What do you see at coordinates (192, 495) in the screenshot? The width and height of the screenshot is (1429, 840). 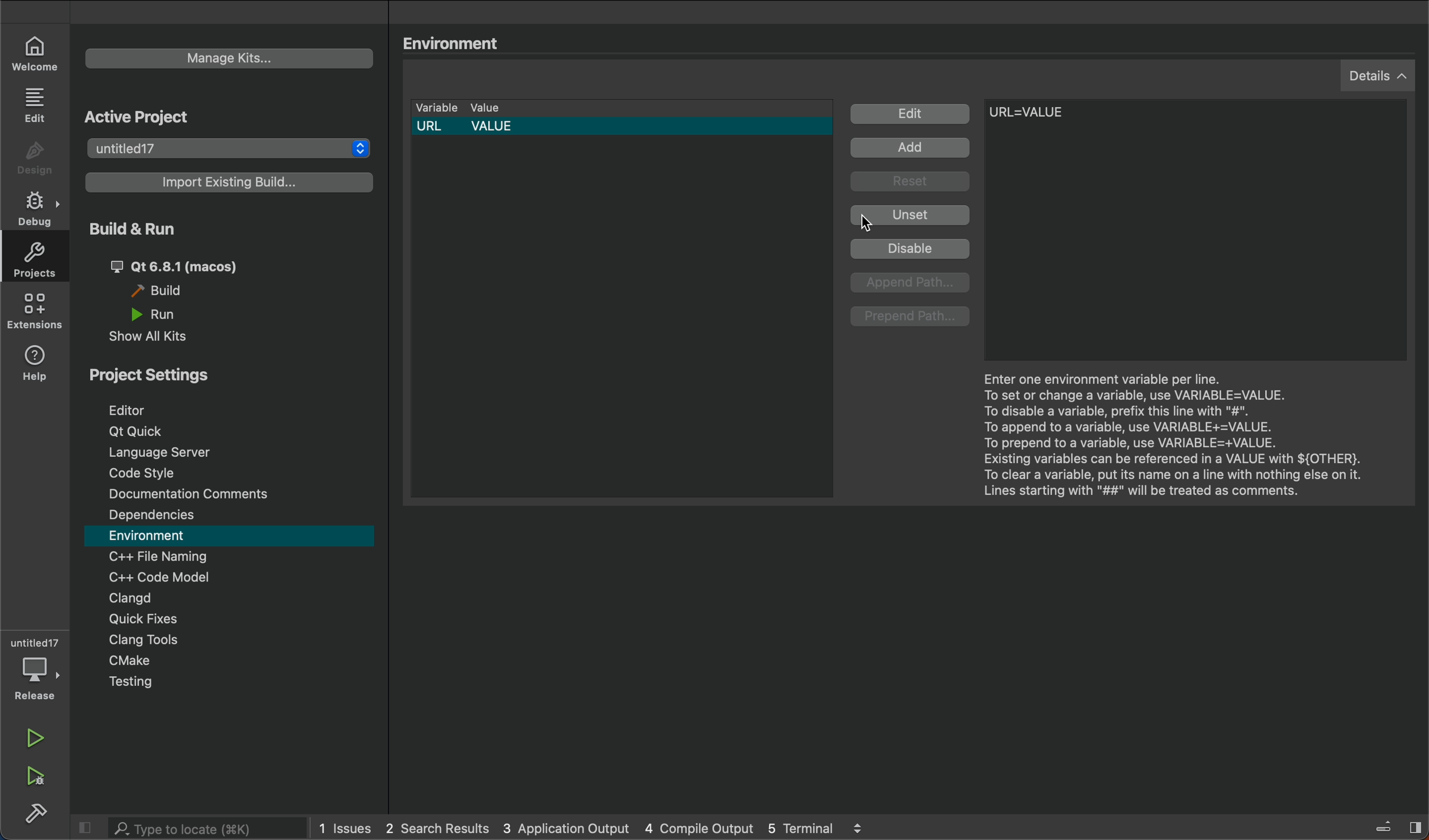 I see `comments` at bounding box center [192, 495].